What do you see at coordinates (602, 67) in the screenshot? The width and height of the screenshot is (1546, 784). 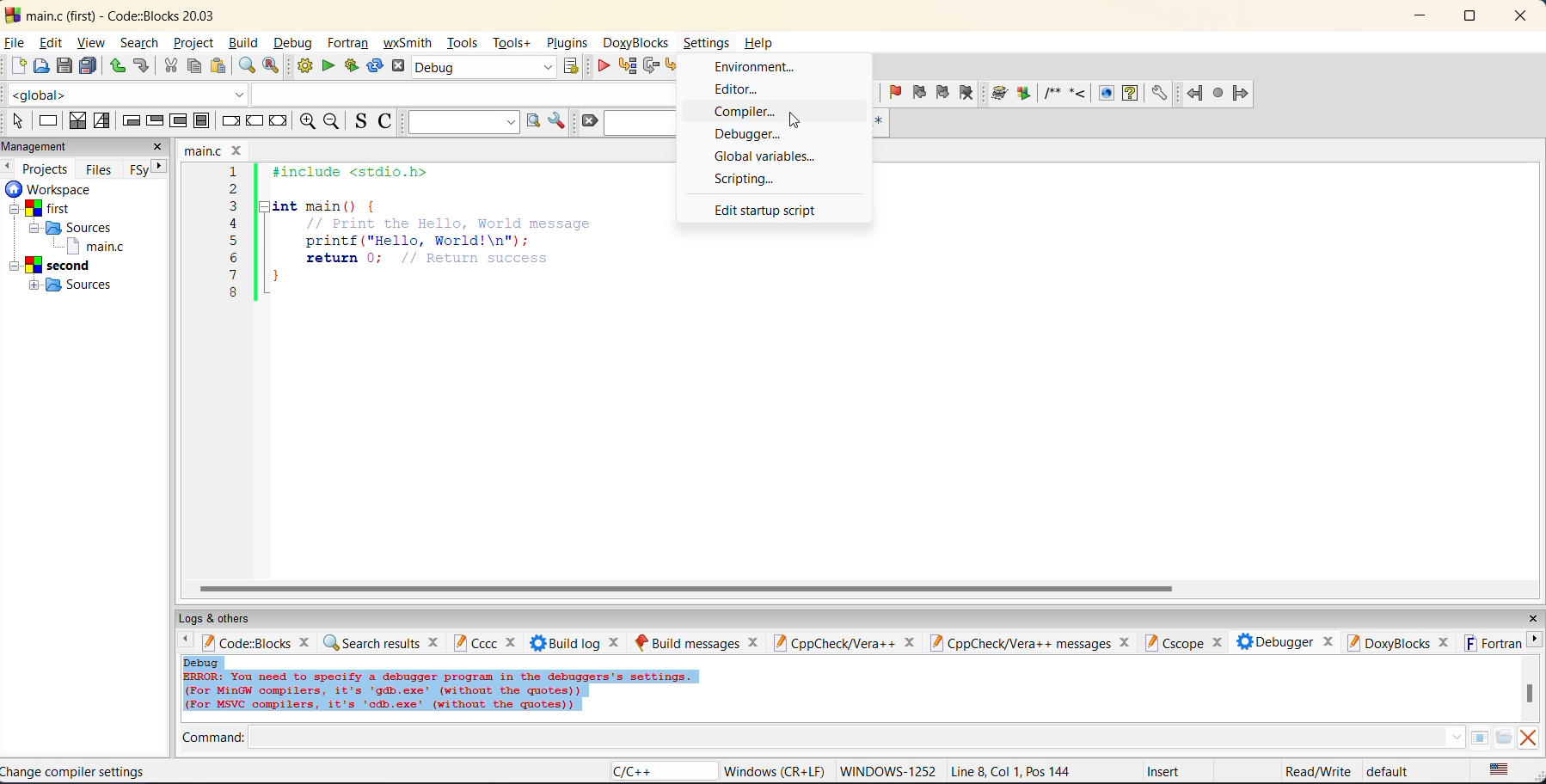 I see `debug/continue` at bounding box center [602, 67].